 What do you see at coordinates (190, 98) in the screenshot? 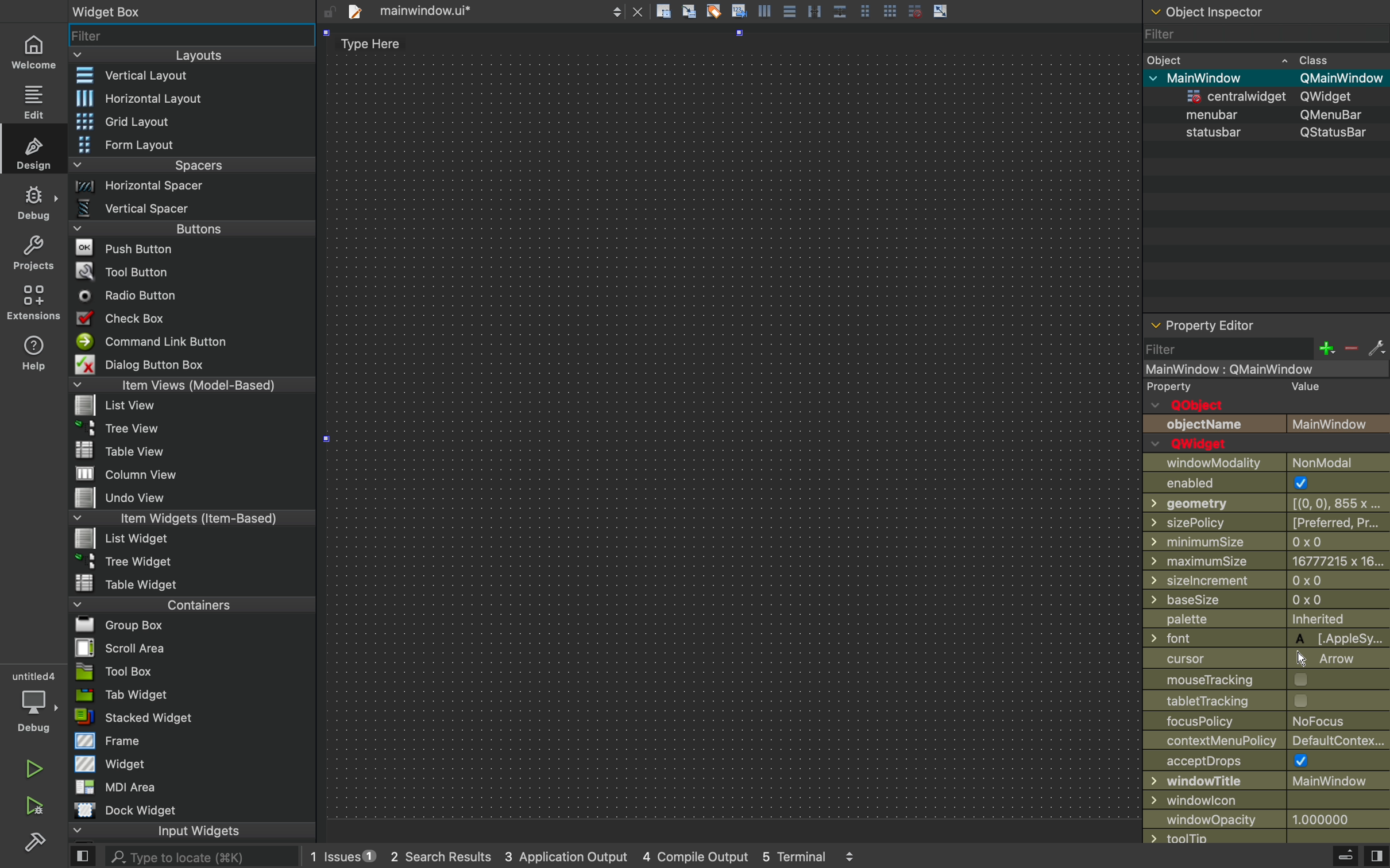
I see `horizontal layout` at bounding box center [190, 98].